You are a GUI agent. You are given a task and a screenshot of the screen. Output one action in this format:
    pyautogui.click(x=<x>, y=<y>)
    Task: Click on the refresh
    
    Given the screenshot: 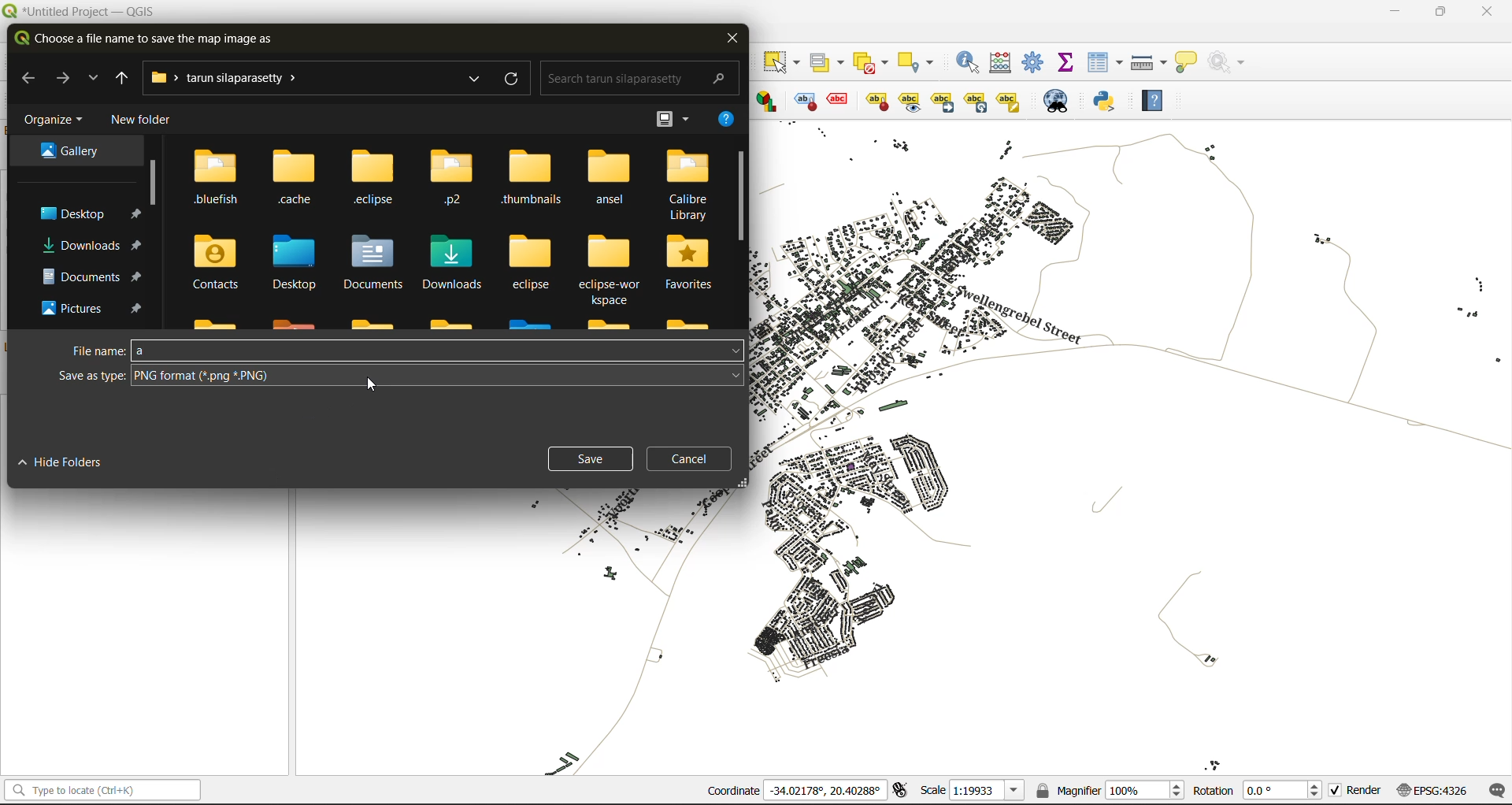 What is the action you would take?
    pyautogui.click(x=513, y=81)
    